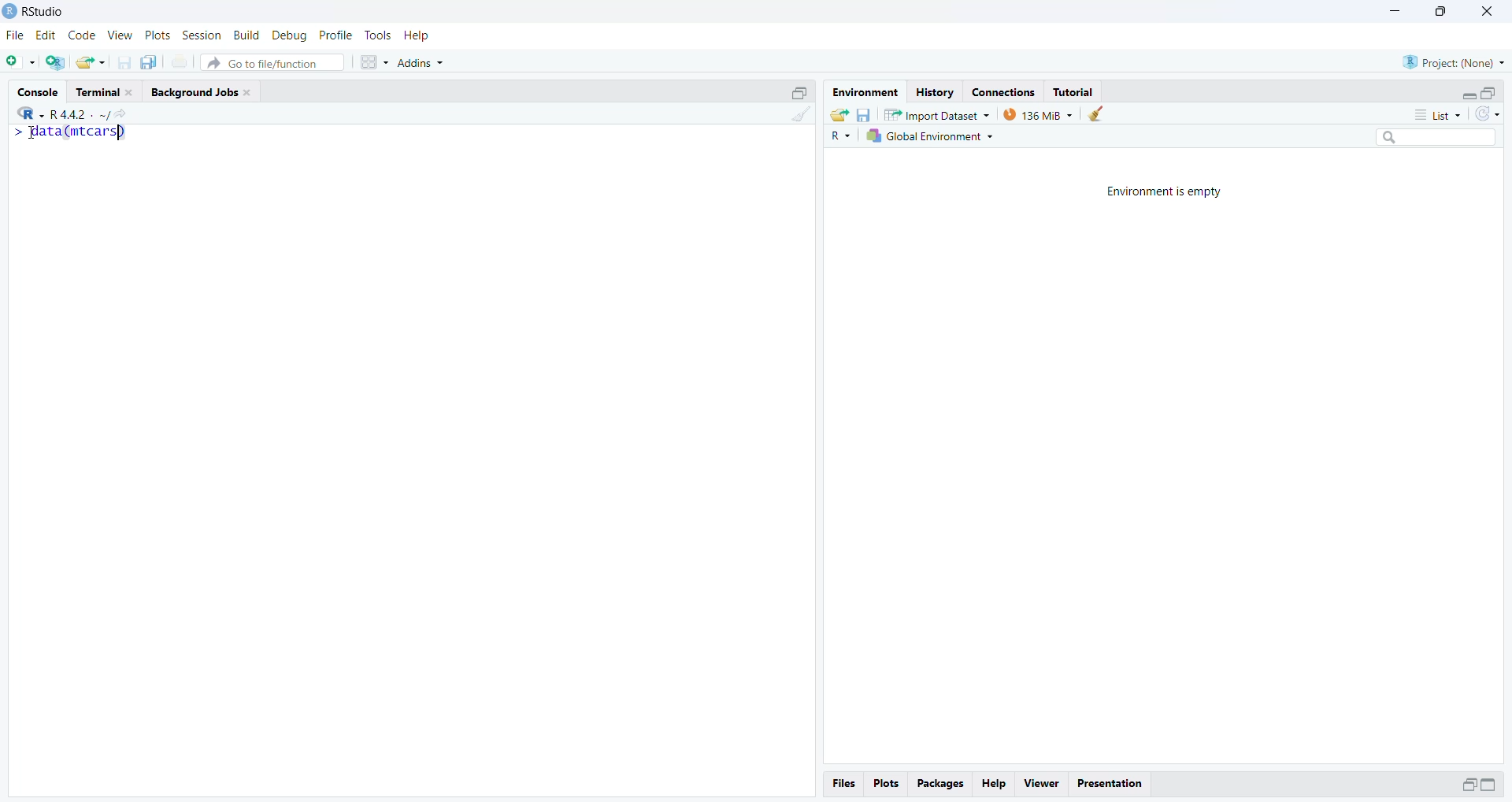 The height and width of the screenshot is (802, 1512). What do you see at coordinates (1114, 782) in the screenshot?
I see `Presentation` at bounding box center [1114, 782].